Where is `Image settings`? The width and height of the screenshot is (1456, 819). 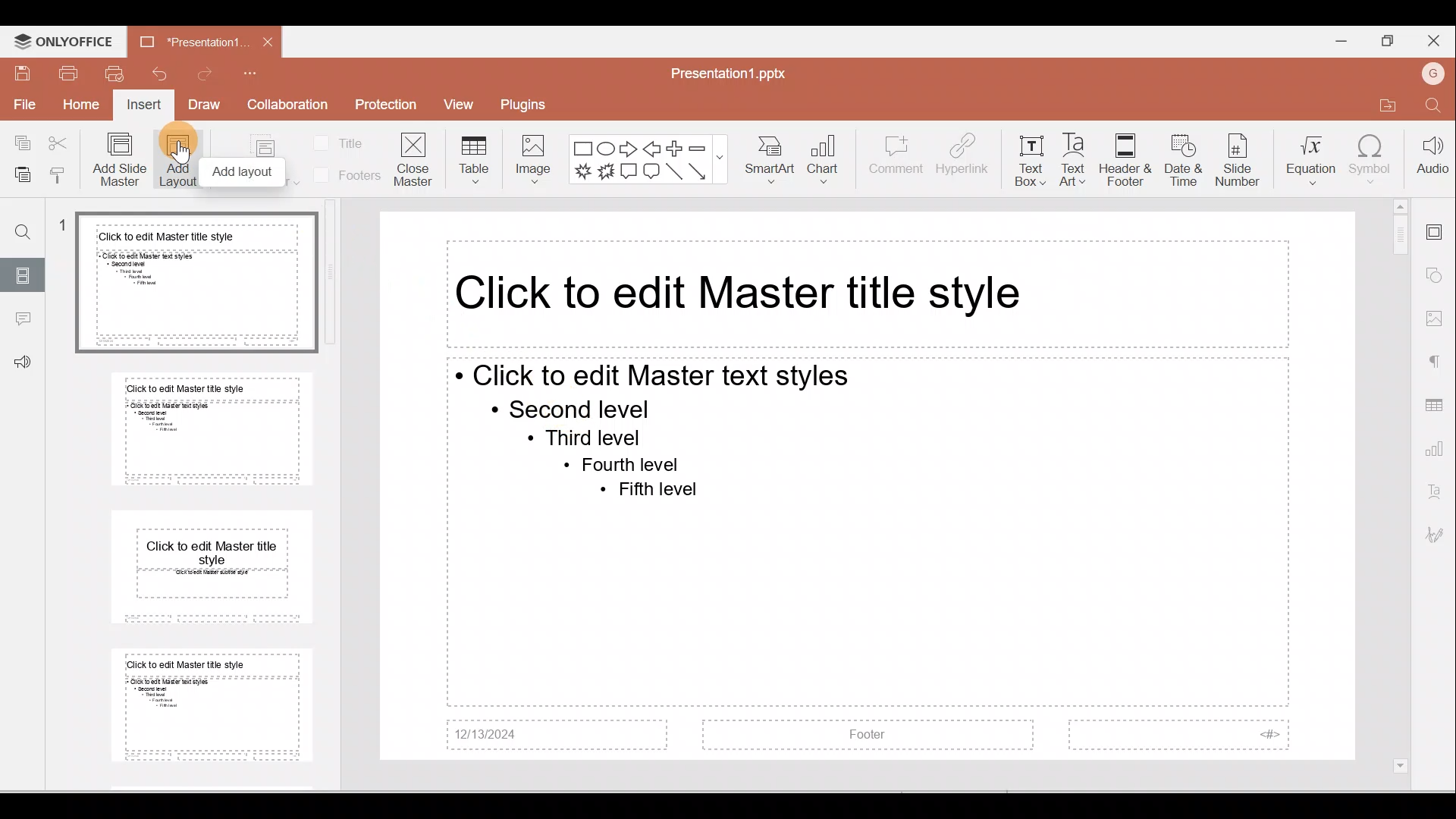
Image settings is located at coordinates (1438, 318).